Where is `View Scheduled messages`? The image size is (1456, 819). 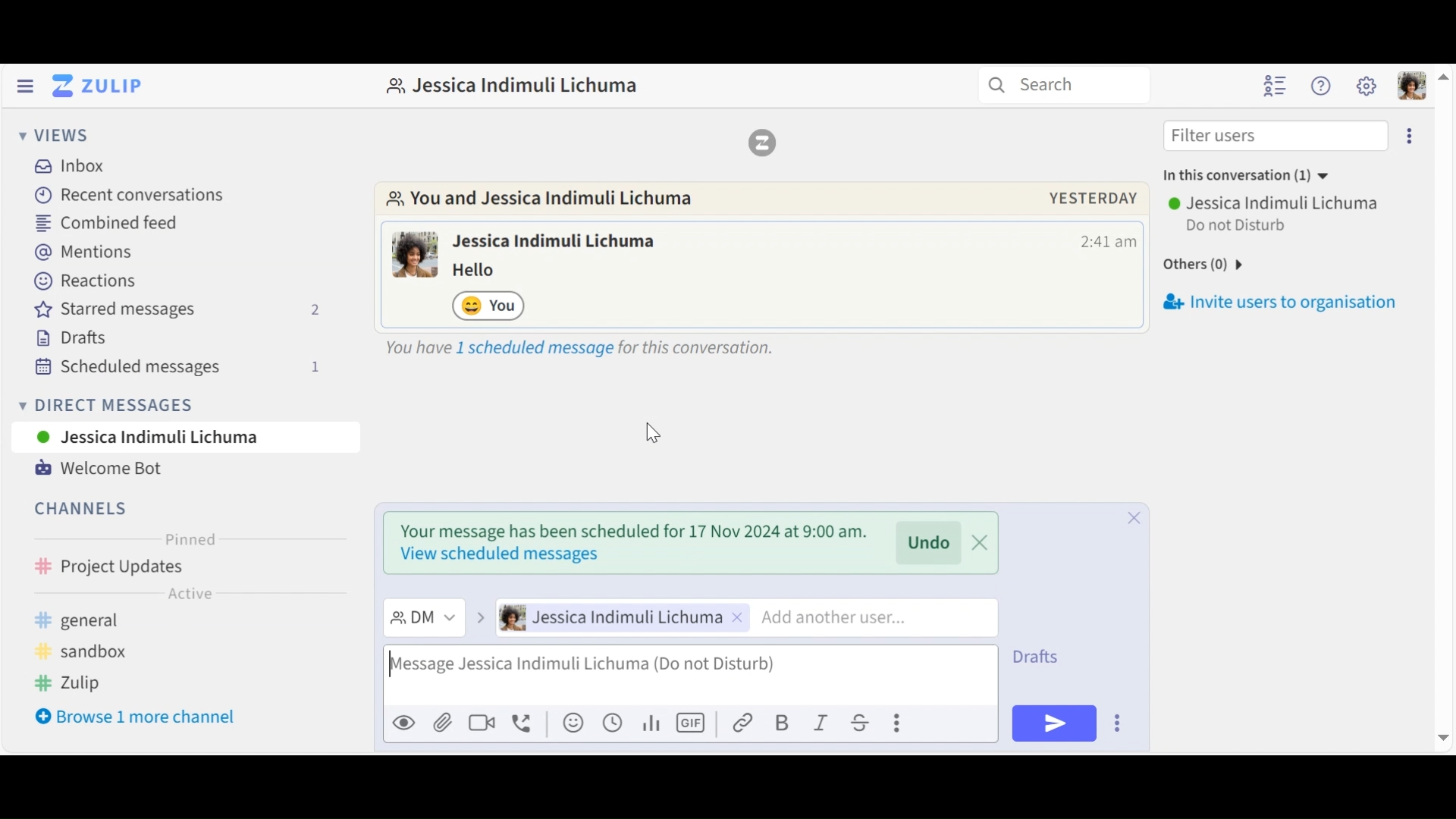 View Scheduled messages is located at coordinates (577, 345).